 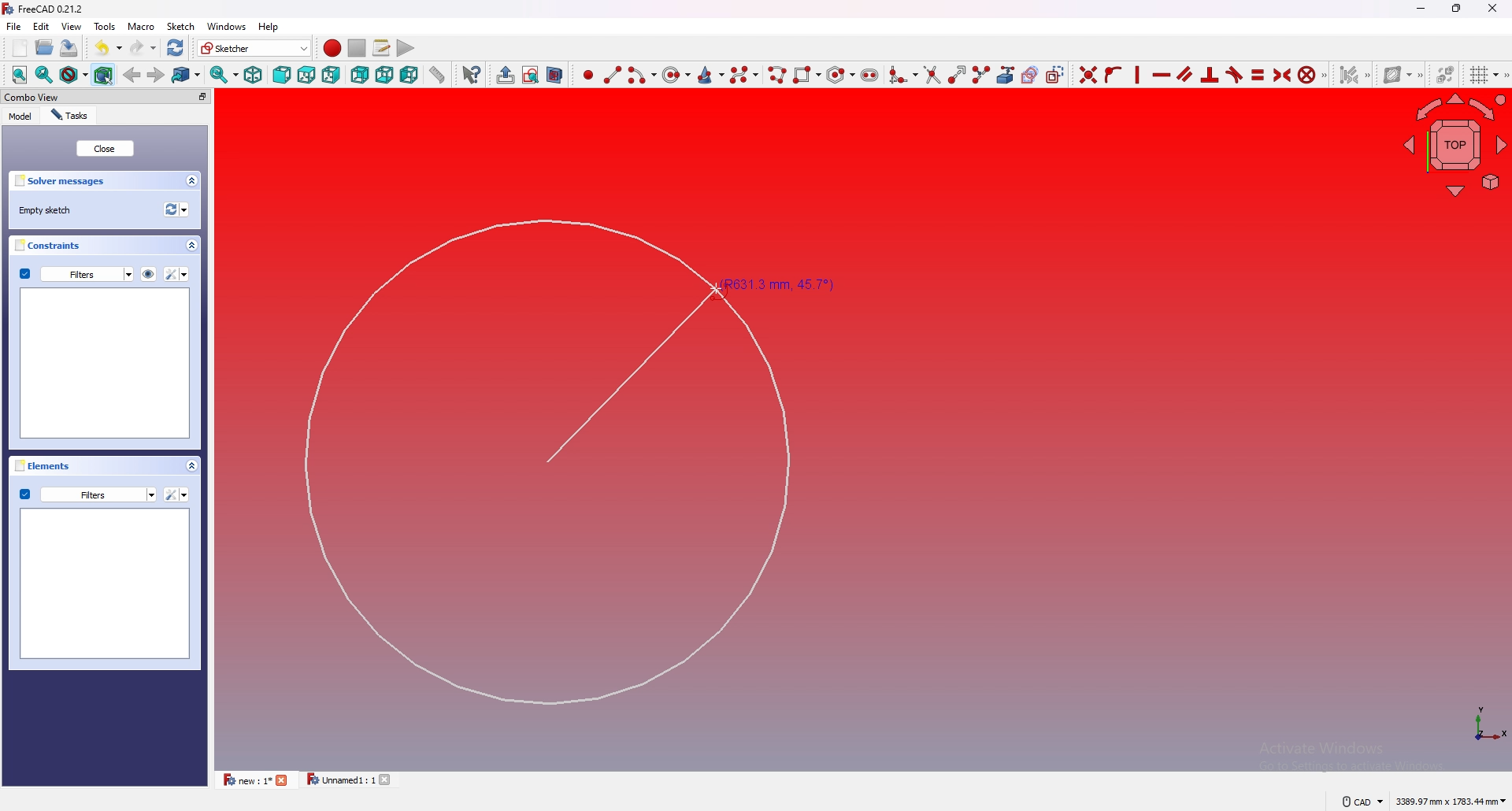 What do you see at coordinates (46, 465) in the screenshot?
I see `elements` at bounding box center [46, 465].